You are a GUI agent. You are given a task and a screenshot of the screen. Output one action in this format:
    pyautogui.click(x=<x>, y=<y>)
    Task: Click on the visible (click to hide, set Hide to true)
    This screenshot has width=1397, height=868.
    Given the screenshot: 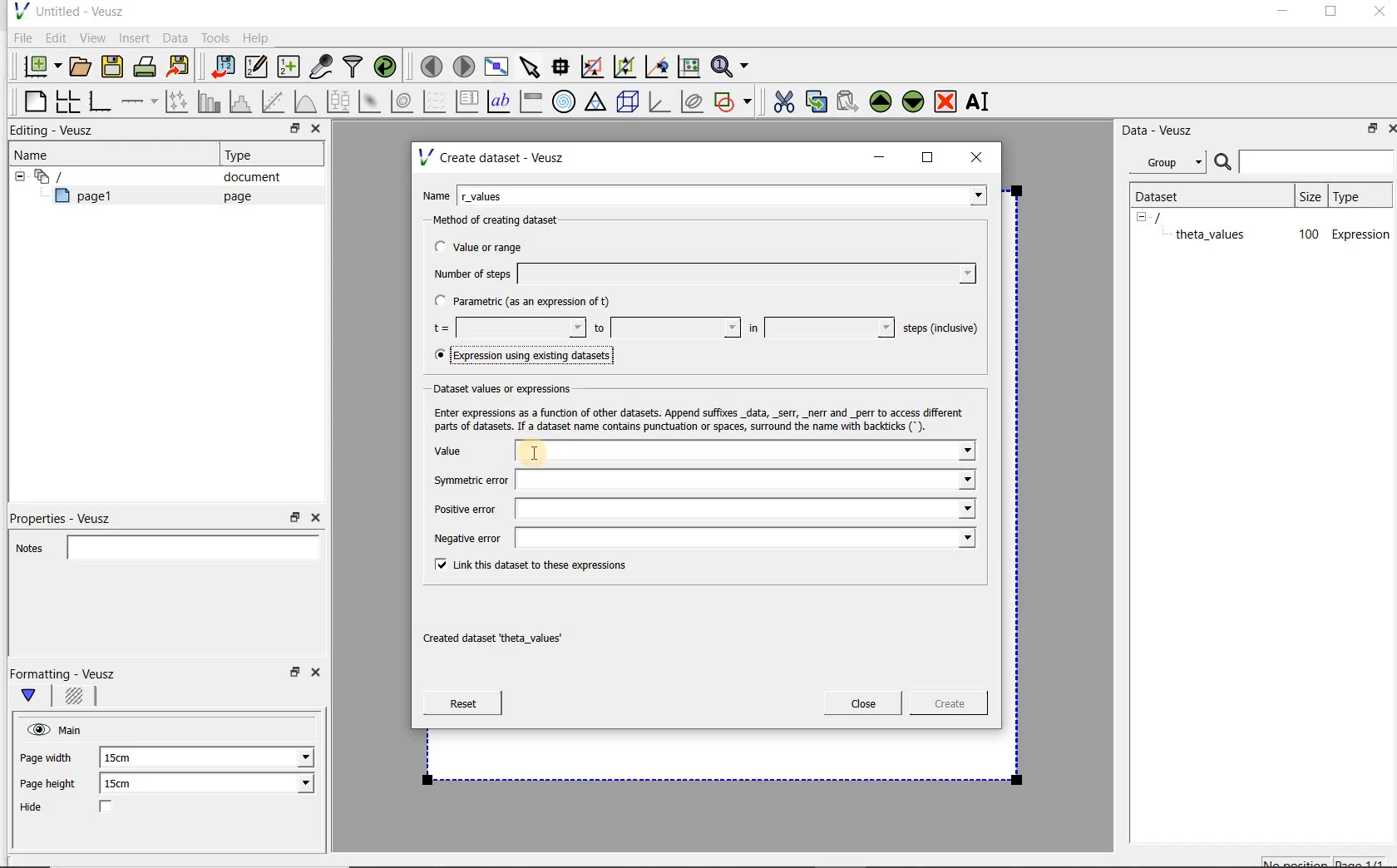 What is the action you would take?
    pyautogui.click(x=36, y=729)
    